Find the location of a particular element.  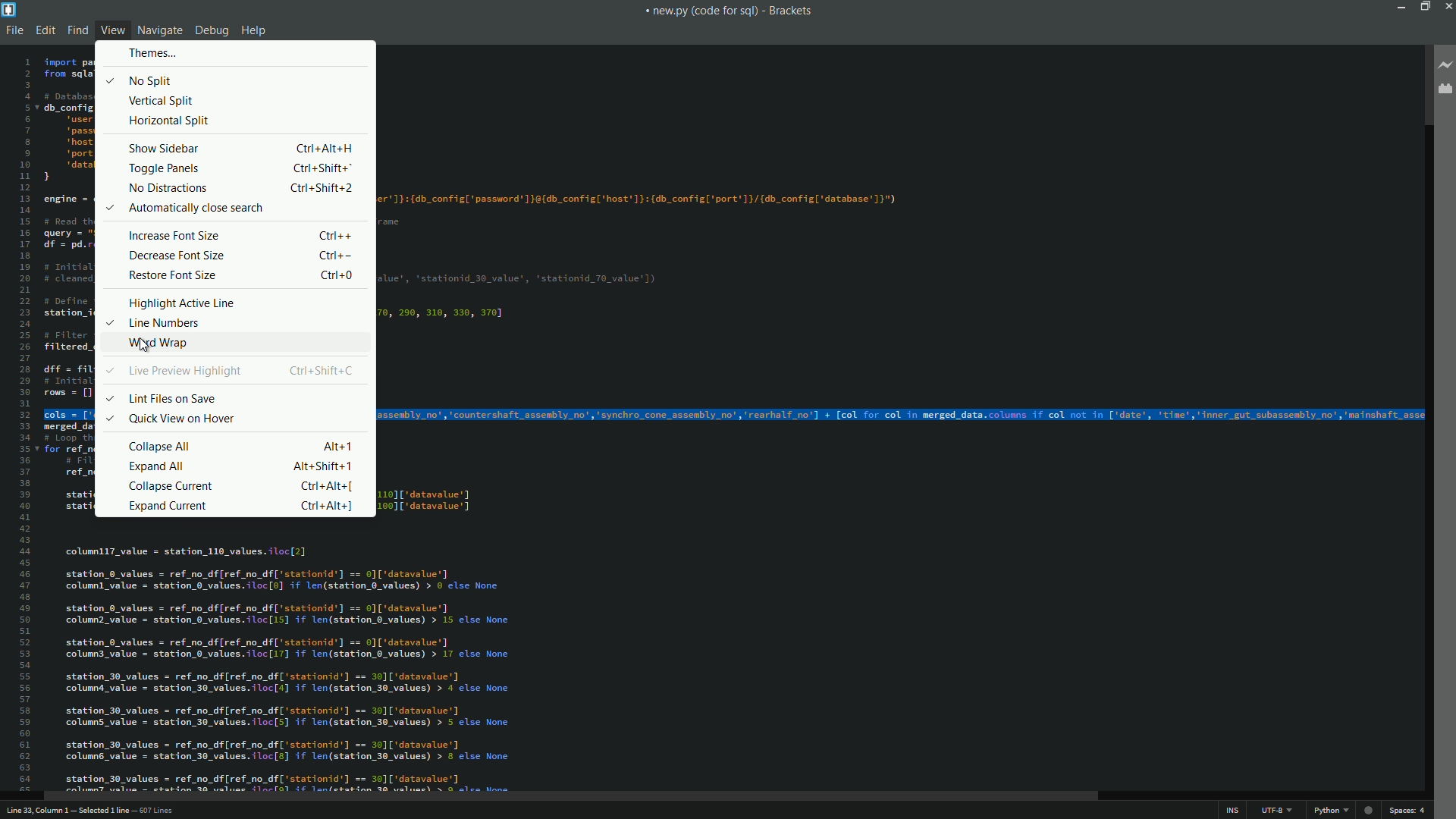

themes is located at coordinates (148, 53).